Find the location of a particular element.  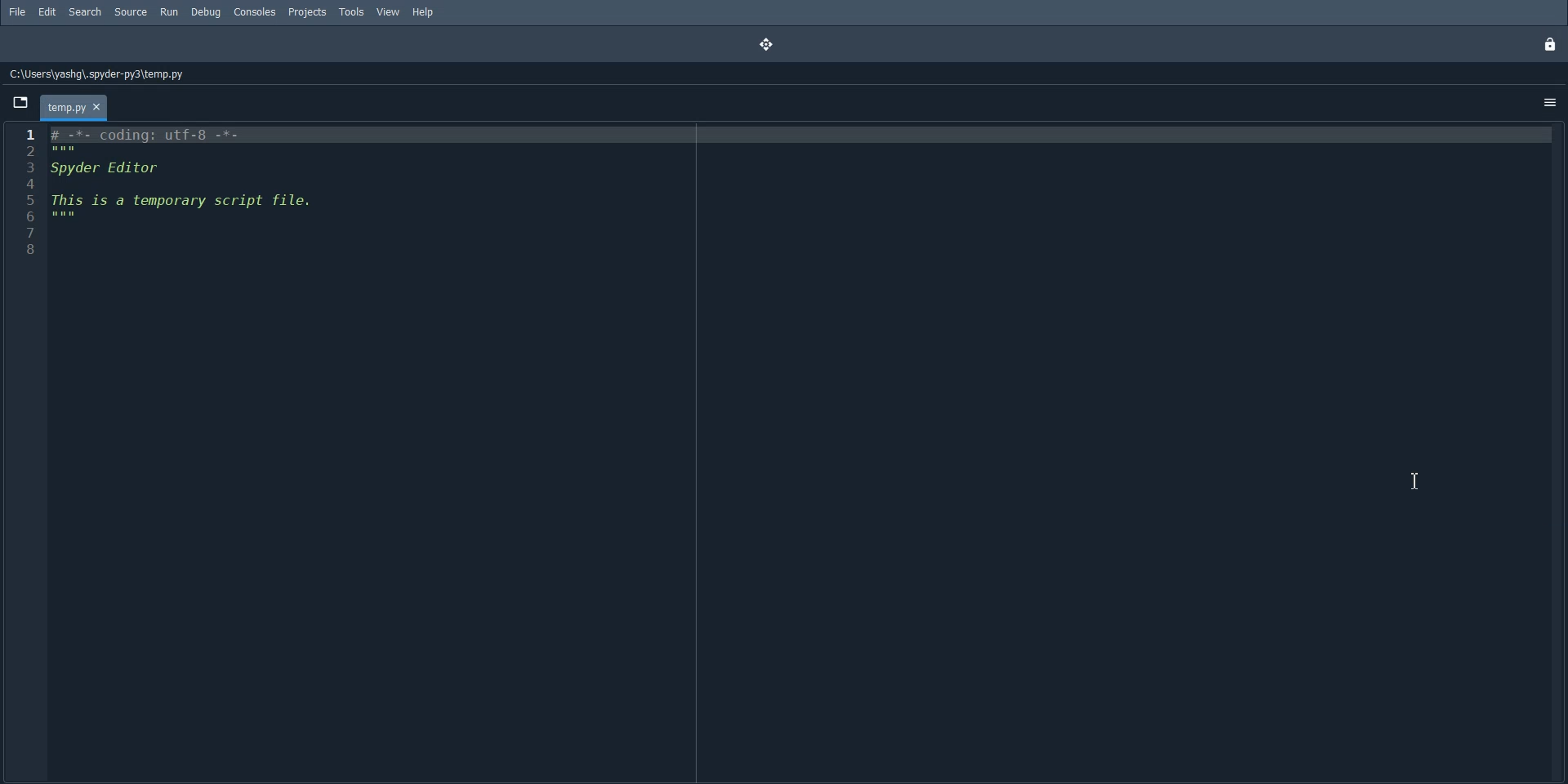

Source is located at coordinates (131, 11).